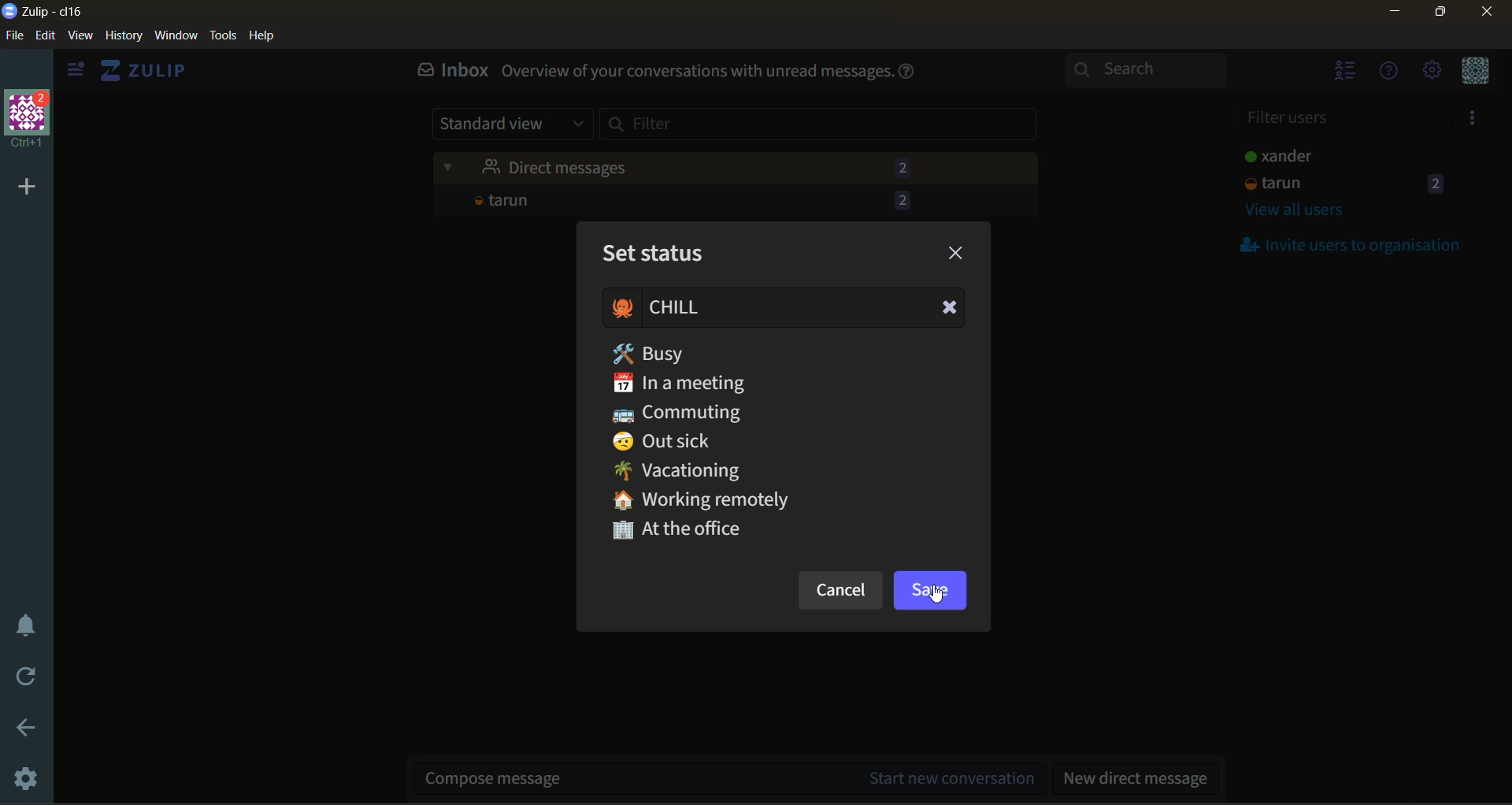 The height and width of the screenshot is (805, 1512). I want to click on hide users list, so click(1340, 75).